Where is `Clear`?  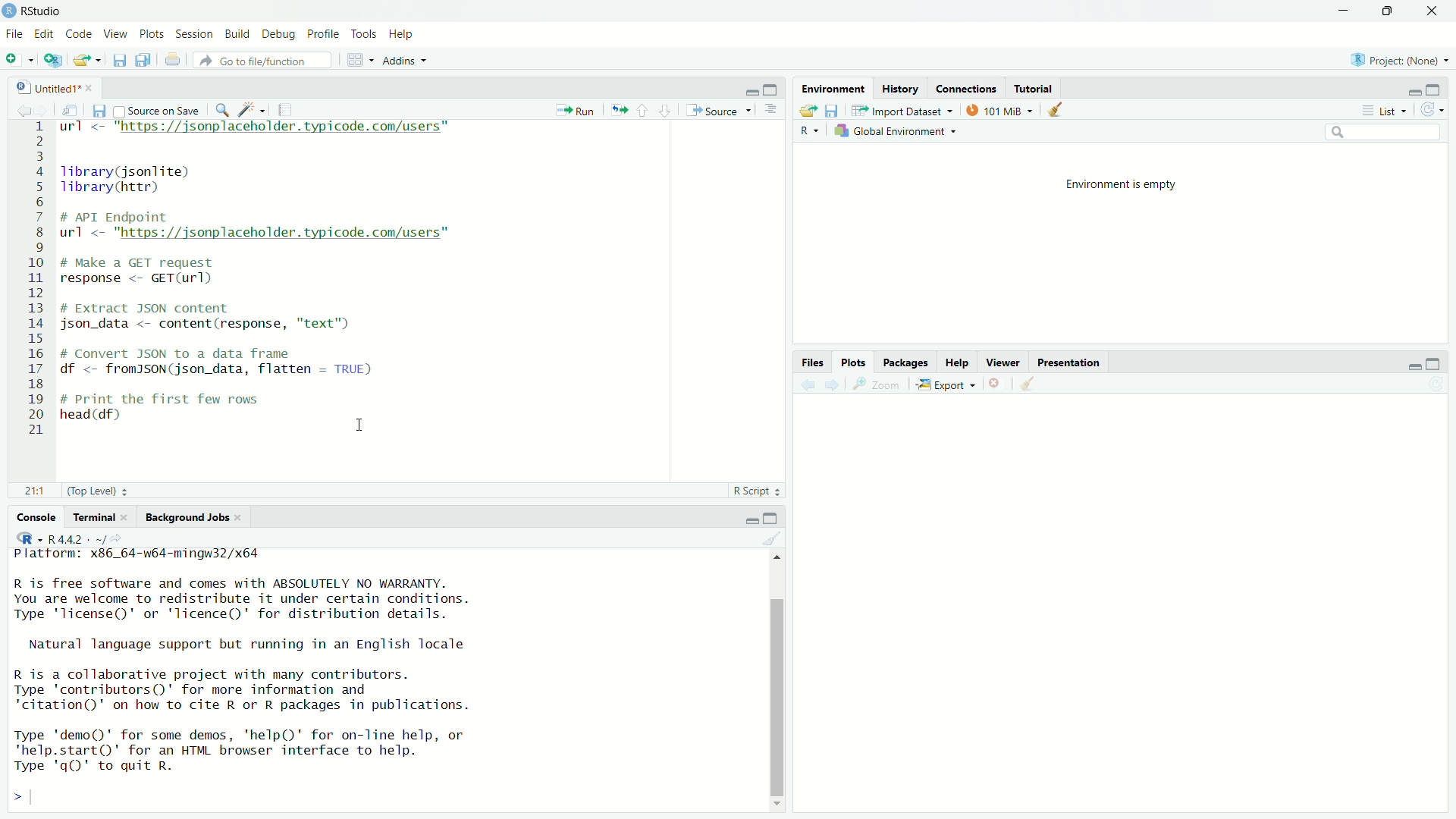
Clear is located at coordinates (771, 540).